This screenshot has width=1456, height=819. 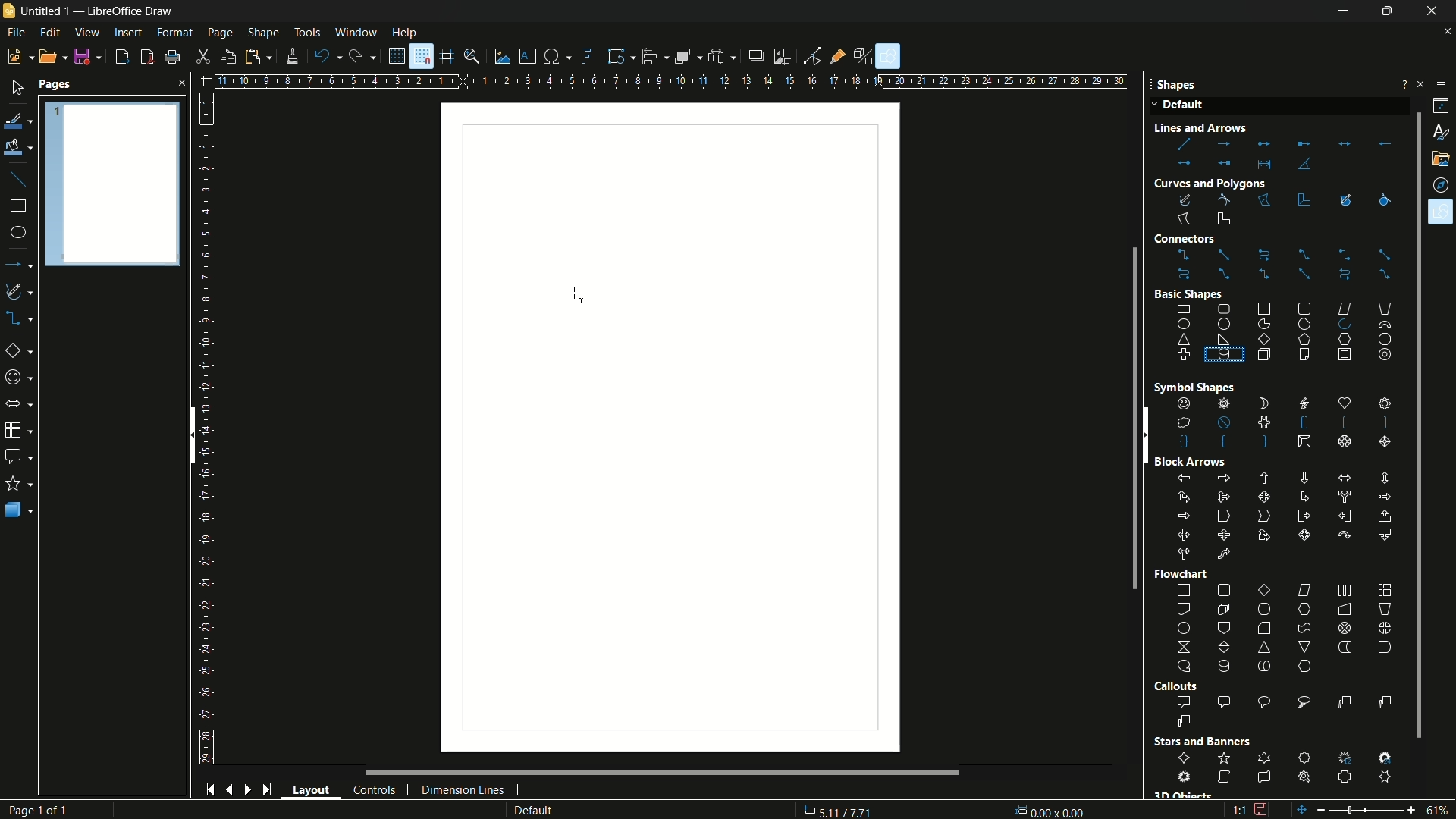 I want to click on flowchart, so click(x=1285, y=629).